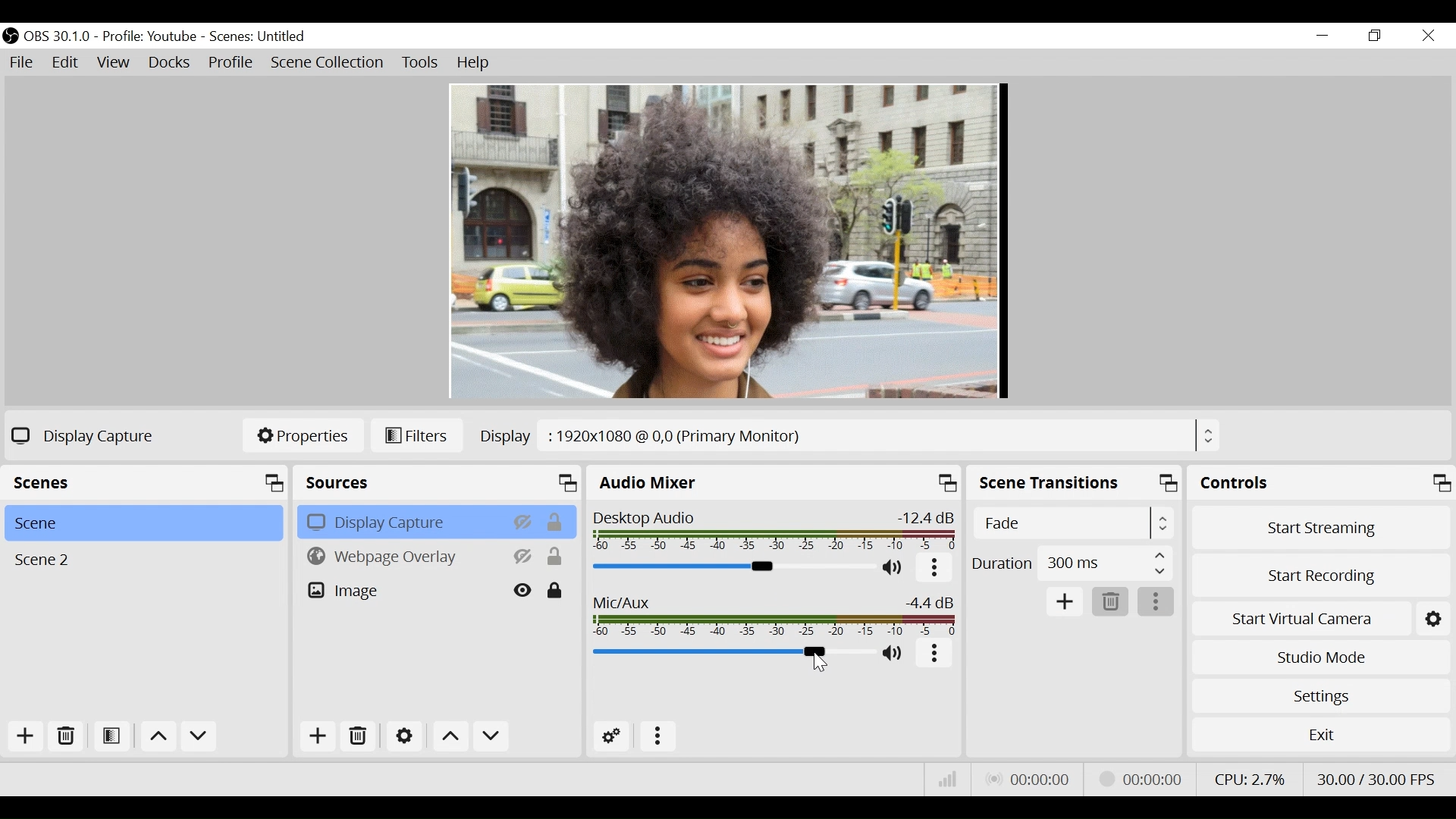 Image resolution: width=1456 pixels, height=819 pixels. I want to click on Mic/Aux, so click(776, 615).